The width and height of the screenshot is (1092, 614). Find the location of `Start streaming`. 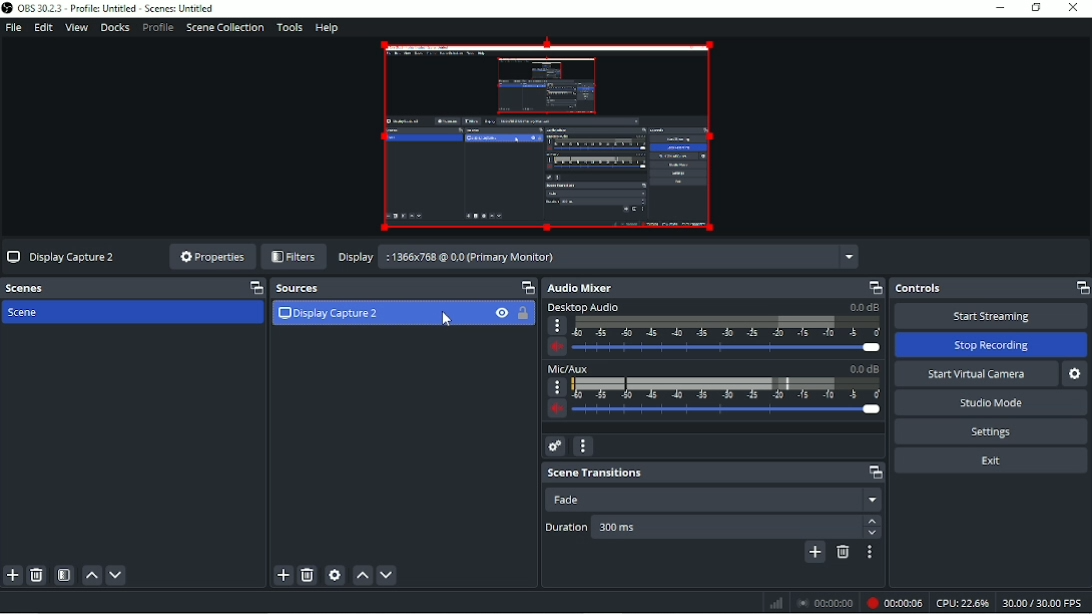

Start streaming is located at coordinates (990, 316).